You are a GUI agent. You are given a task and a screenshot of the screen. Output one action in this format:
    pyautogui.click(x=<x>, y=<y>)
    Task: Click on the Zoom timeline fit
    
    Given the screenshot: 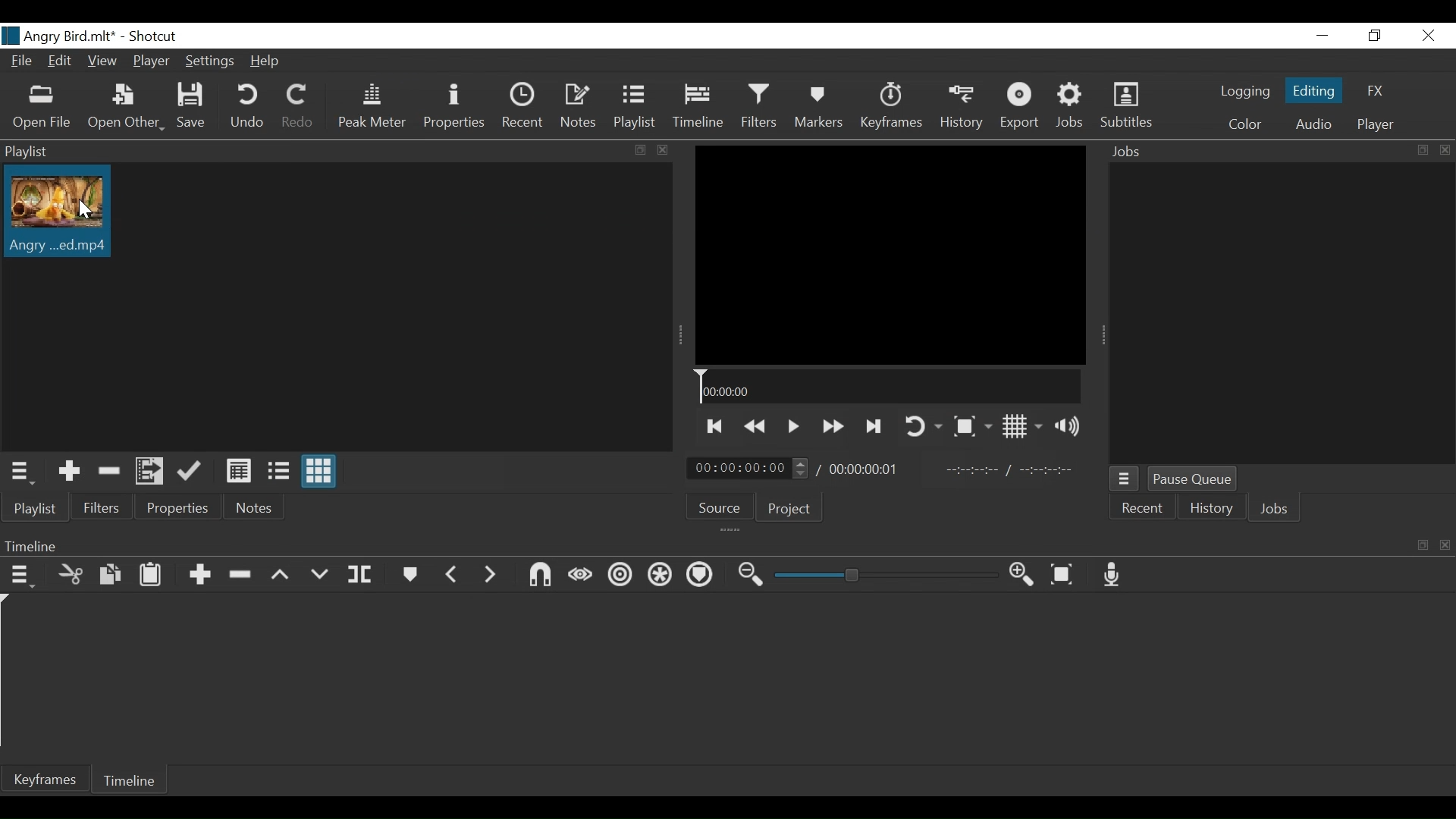 What is the action you would take?
    pyautogui.click(x=1061, y=574)
    